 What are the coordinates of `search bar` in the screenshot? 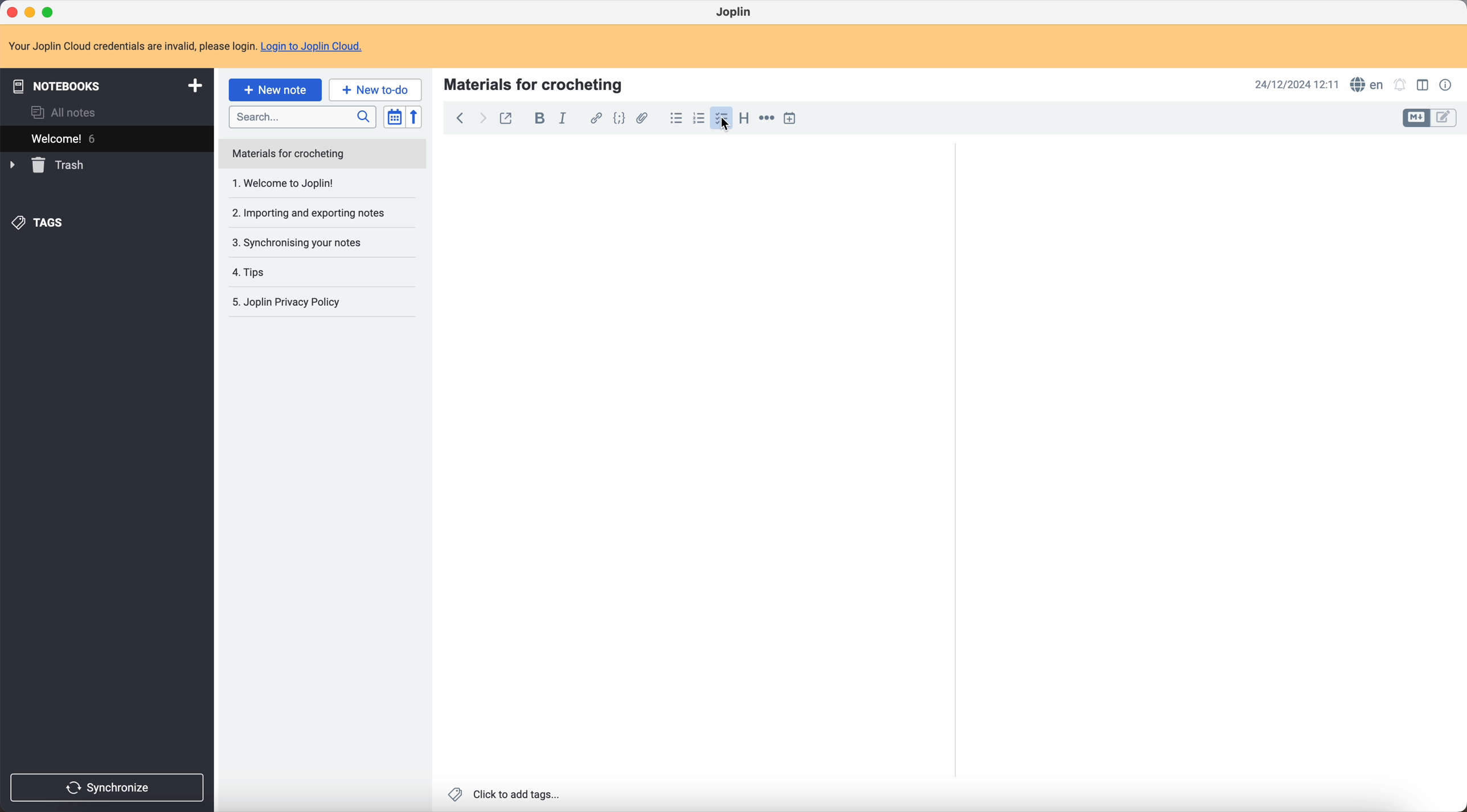 It's located at (302, 116).